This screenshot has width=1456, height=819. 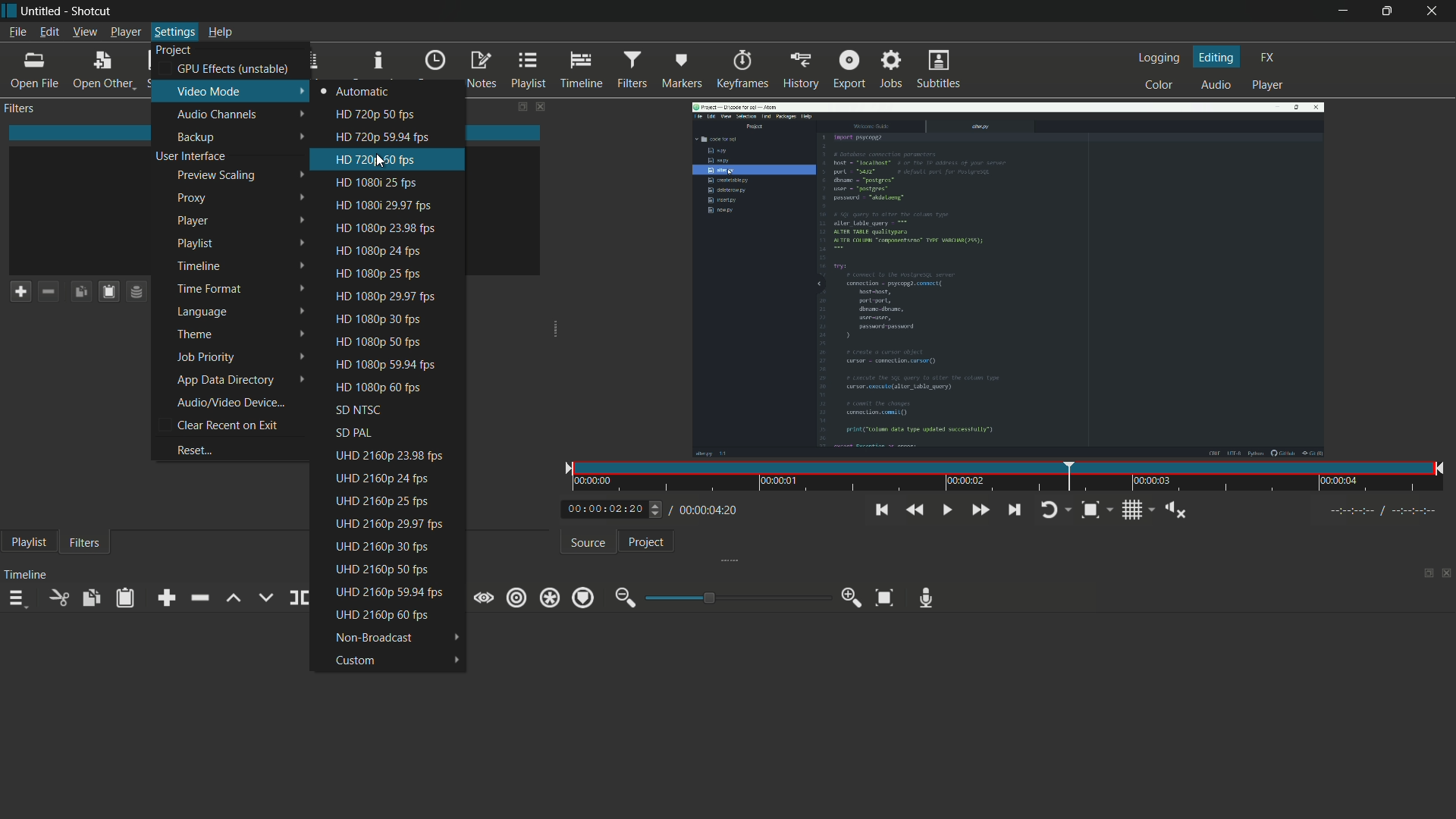 What do you see at coordinates (799, 69) in the screenshot?
I see `history` at bounding box center [799, 69].